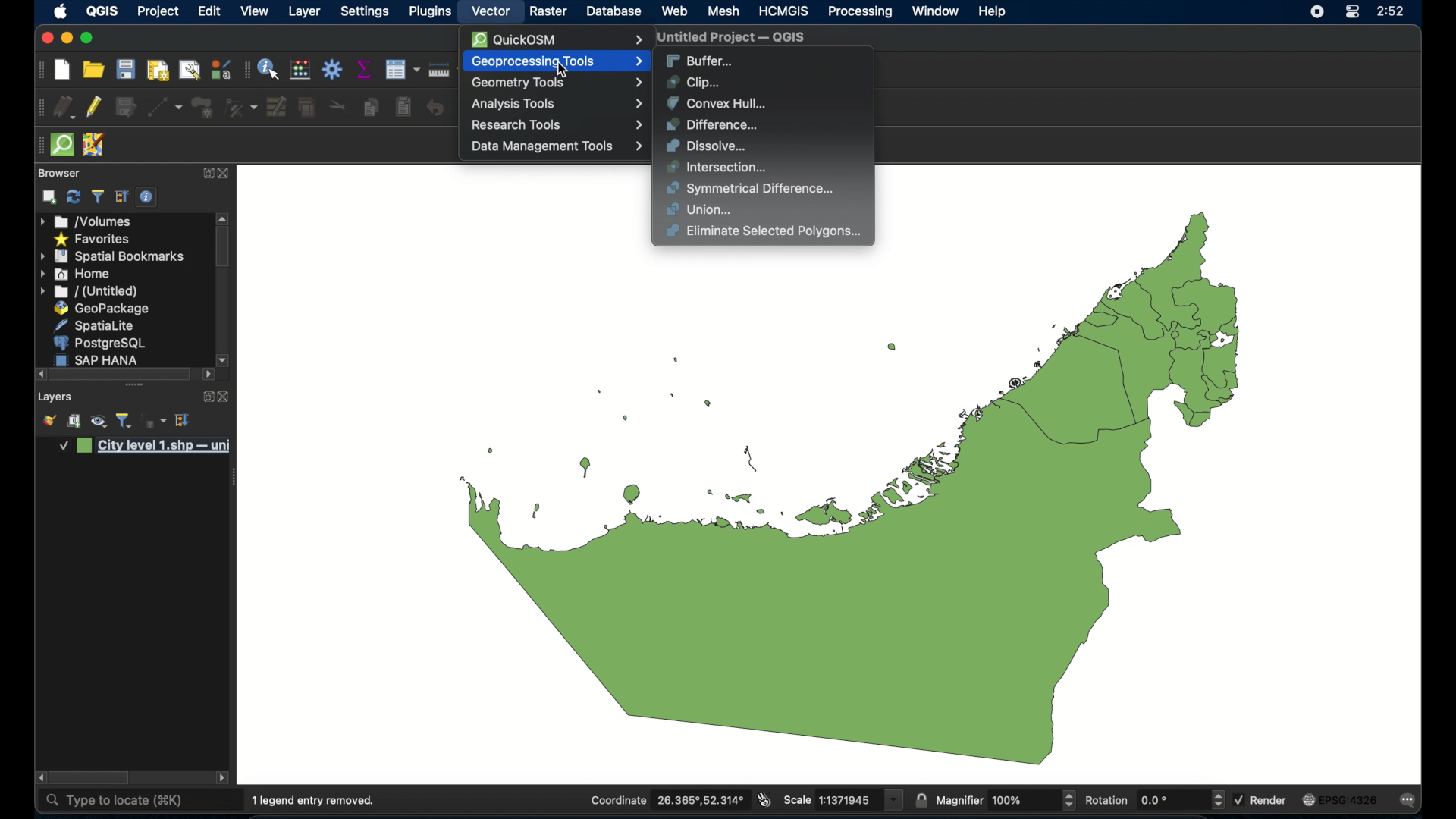 The height and width of the screenshot is (819, 1456). I want to click on boundary map of UAE, so click(848, 507).